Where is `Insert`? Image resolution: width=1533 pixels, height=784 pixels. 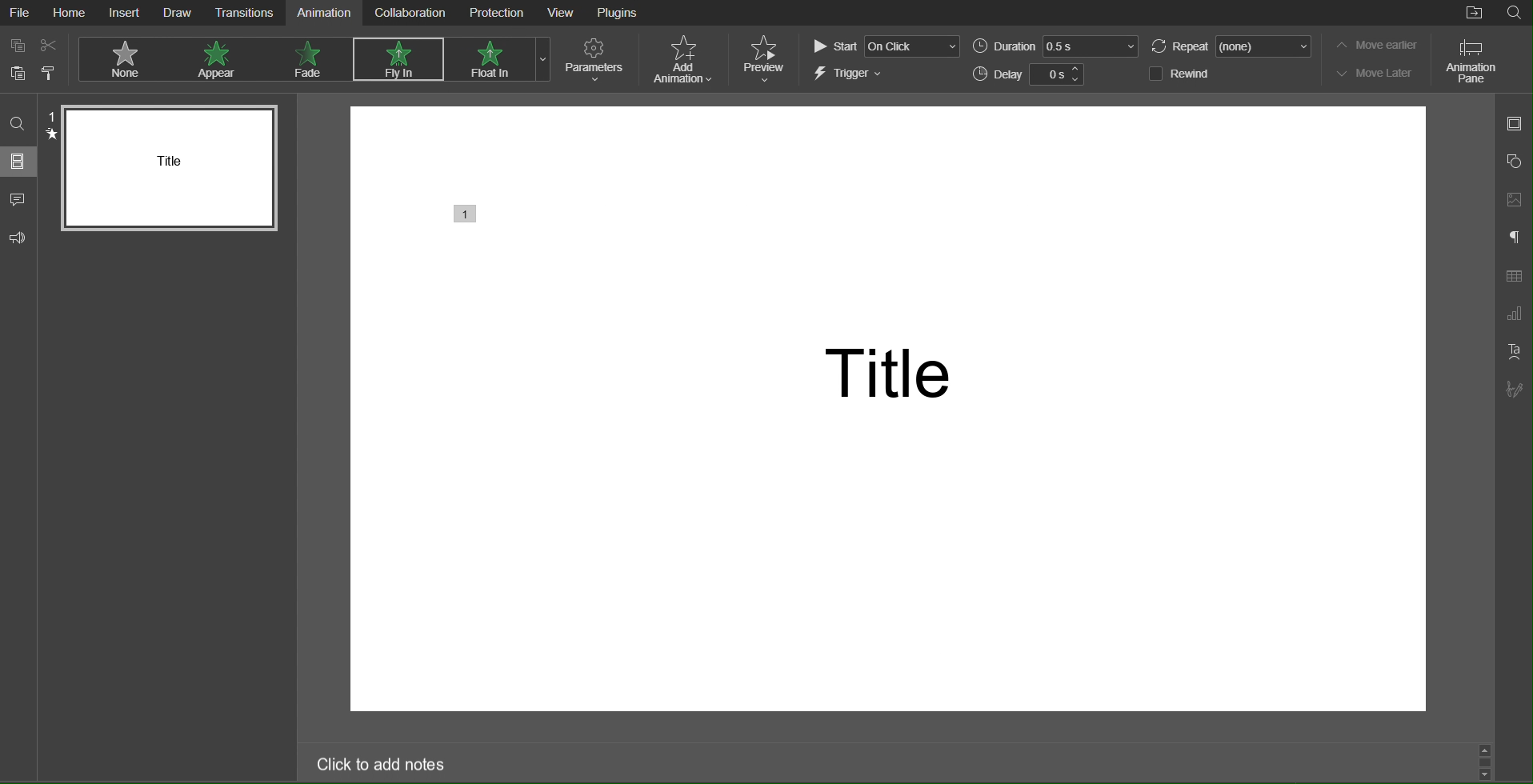
Insert is located at coordinates (127, 14).